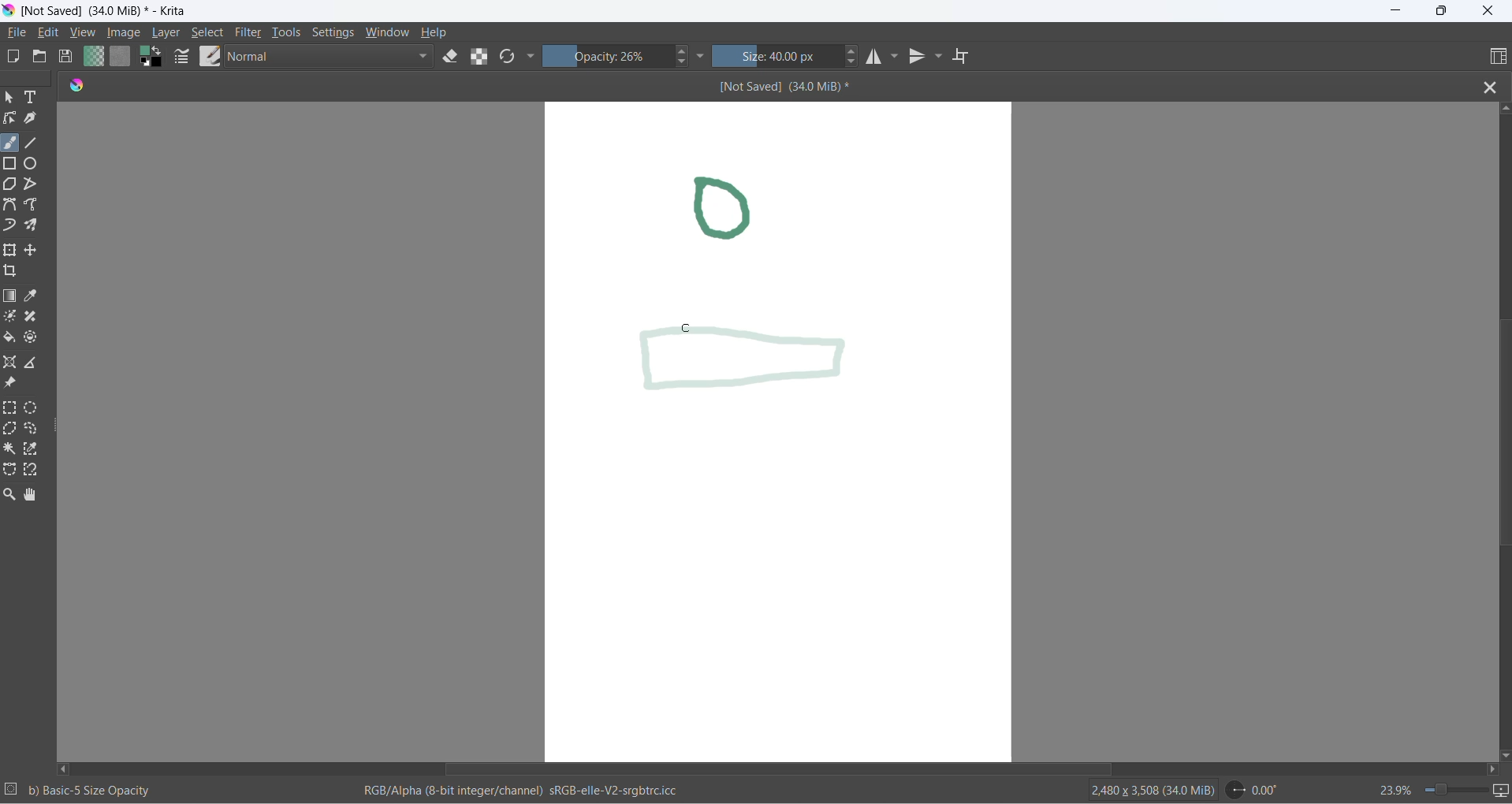 The width and height of the screenshot is (1512, 804). What do you see at coordinates (701, 55) in the screenshot?
I see `more settings dropdown button` at bounding box center [701, 55].